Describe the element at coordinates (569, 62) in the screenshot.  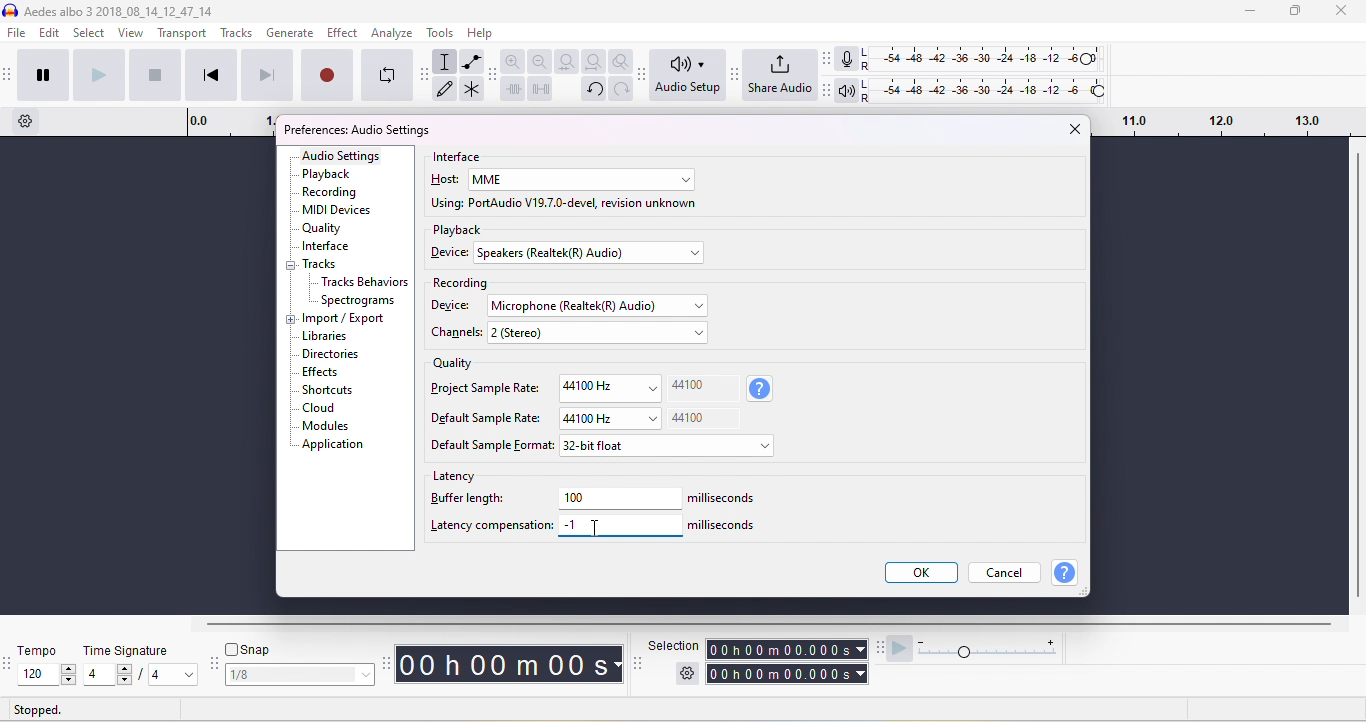
I see `fit selection to width` at that location.